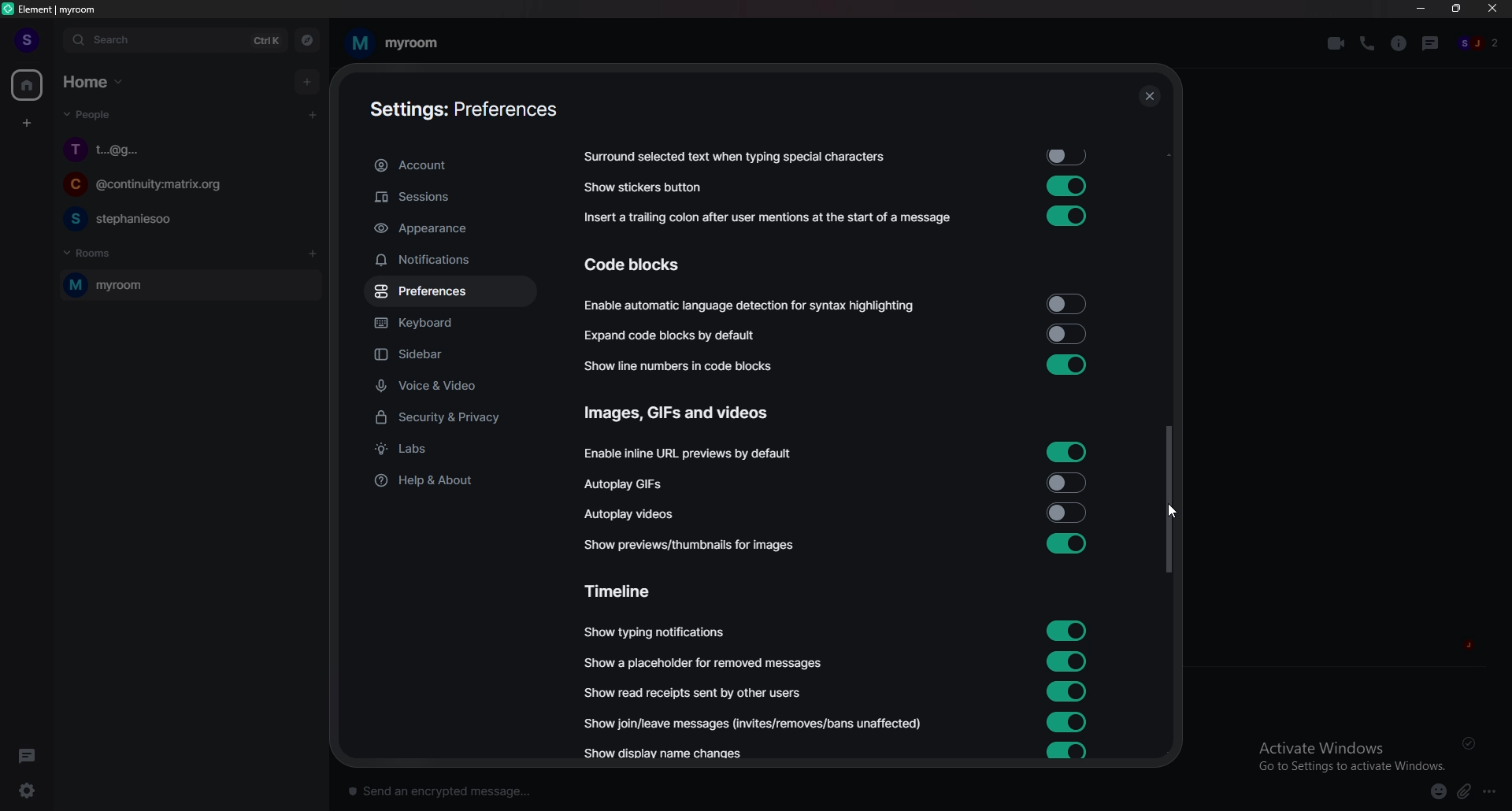  Describe the element at coordinates (450, 292) in the screenshot. I see `preference` at that location.